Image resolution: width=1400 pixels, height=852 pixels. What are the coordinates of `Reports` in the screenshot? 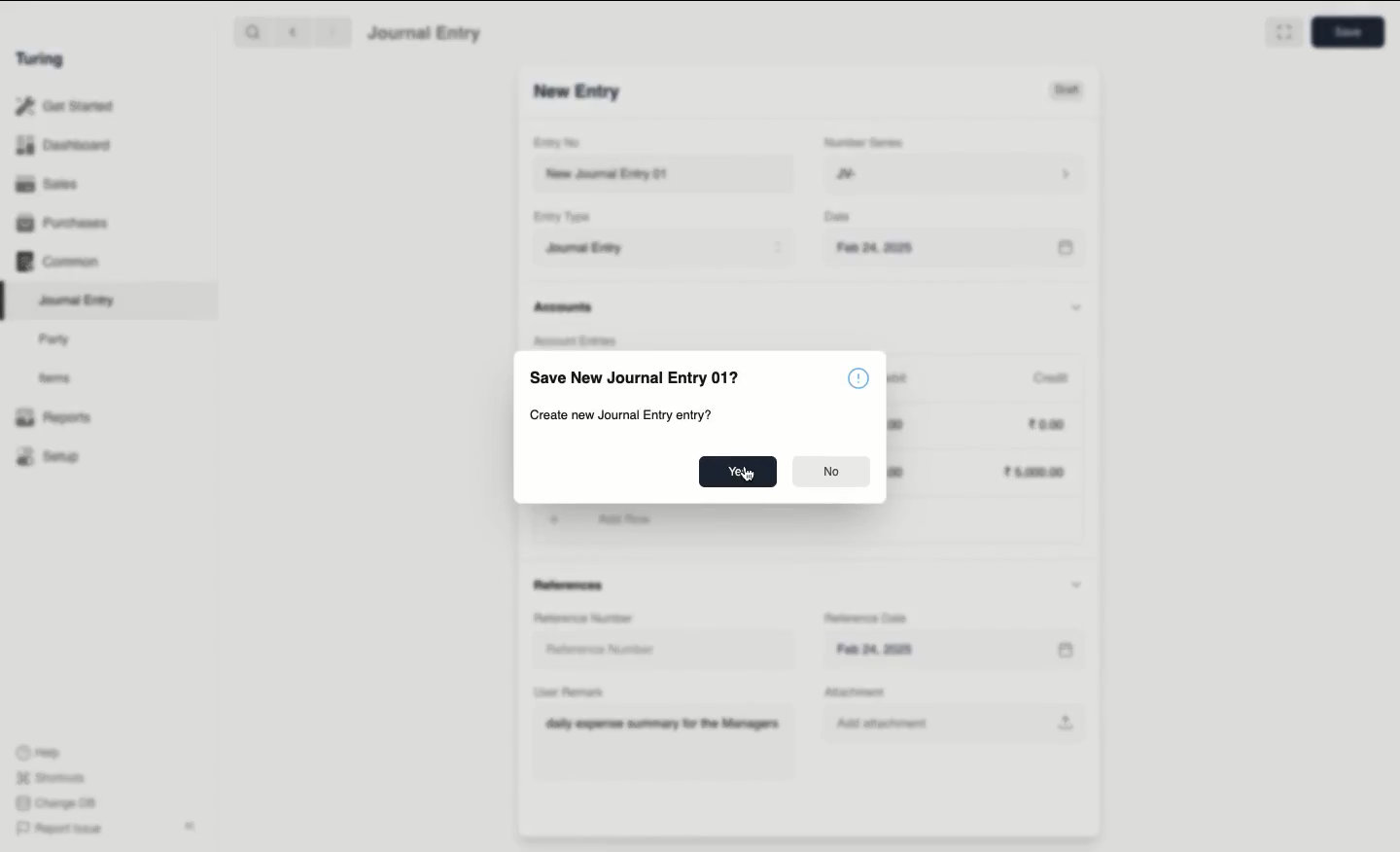 It's located at (53, 417).